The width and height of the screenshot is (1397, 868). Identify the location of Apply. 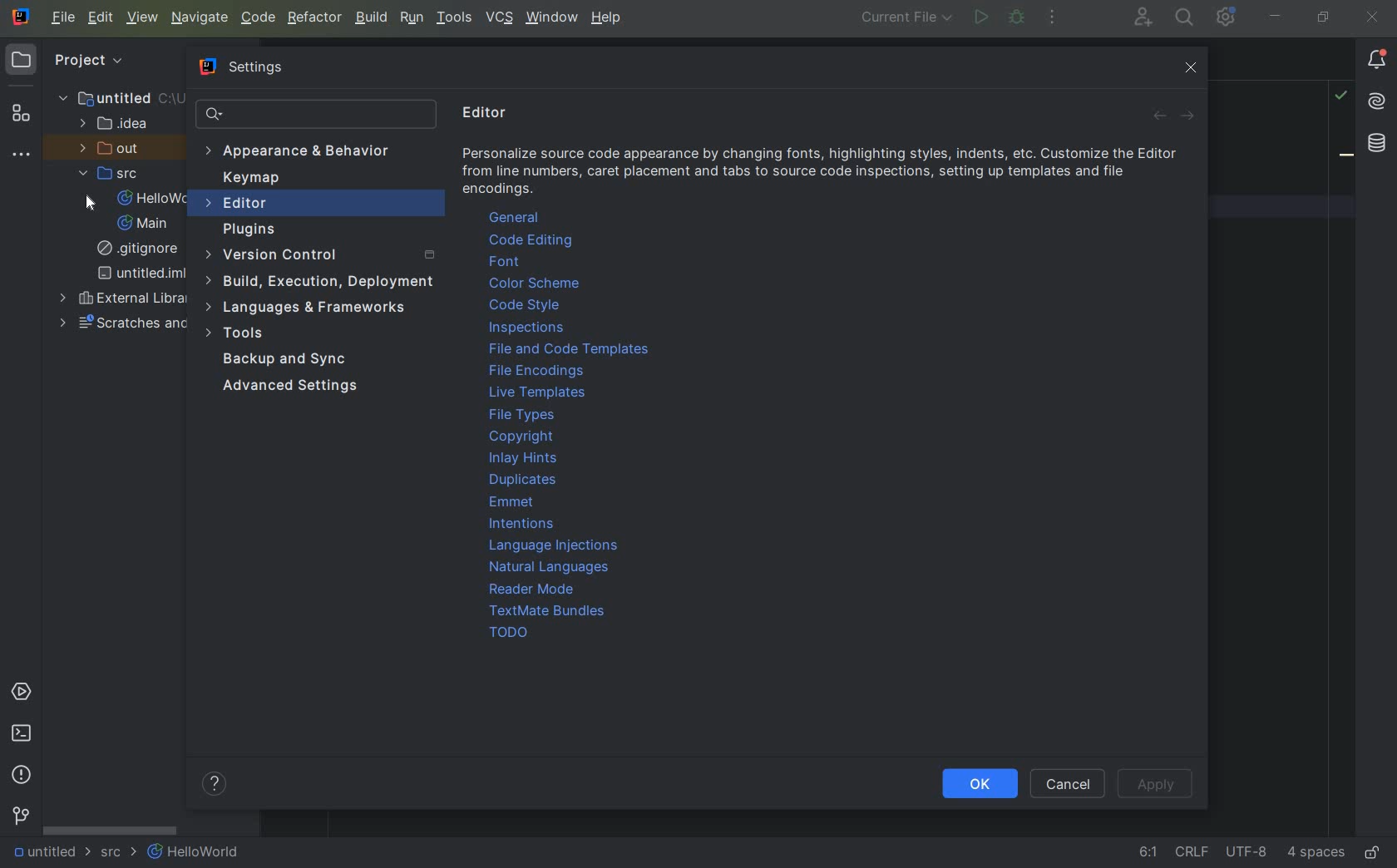
(1160, 782).